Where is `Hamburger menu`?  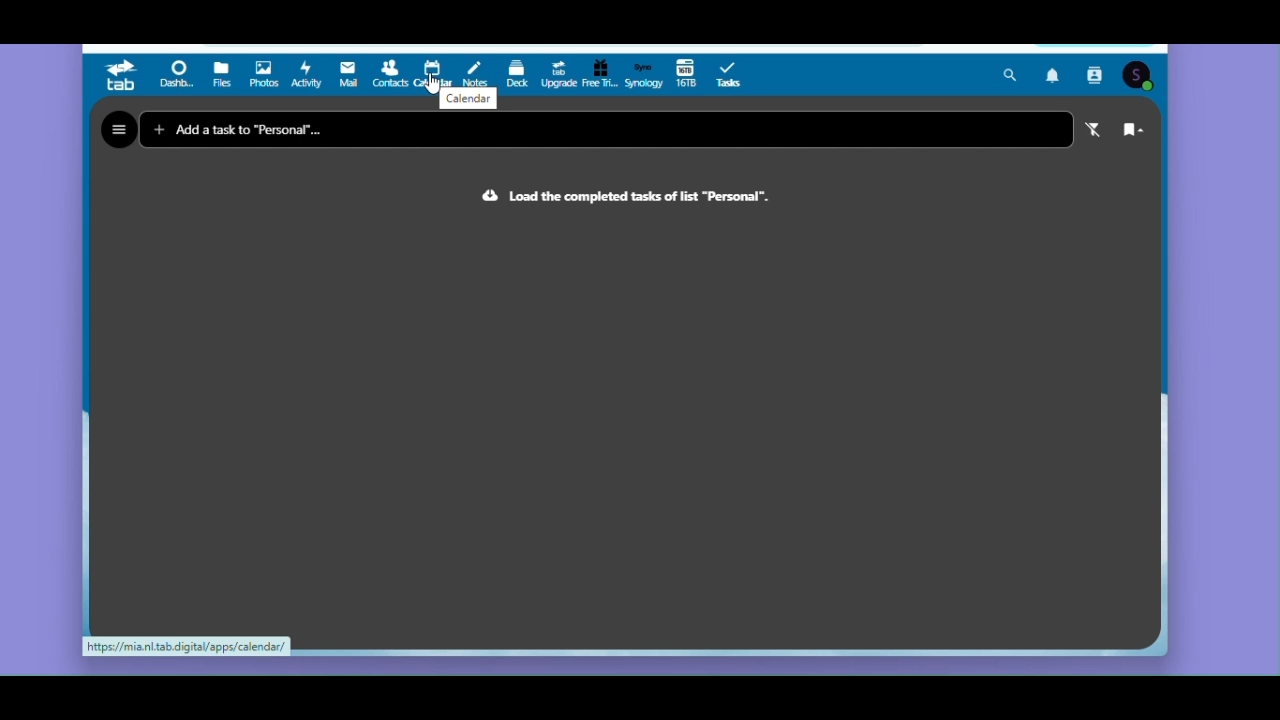 Hamburger menu is located at coordinates (118, 130).